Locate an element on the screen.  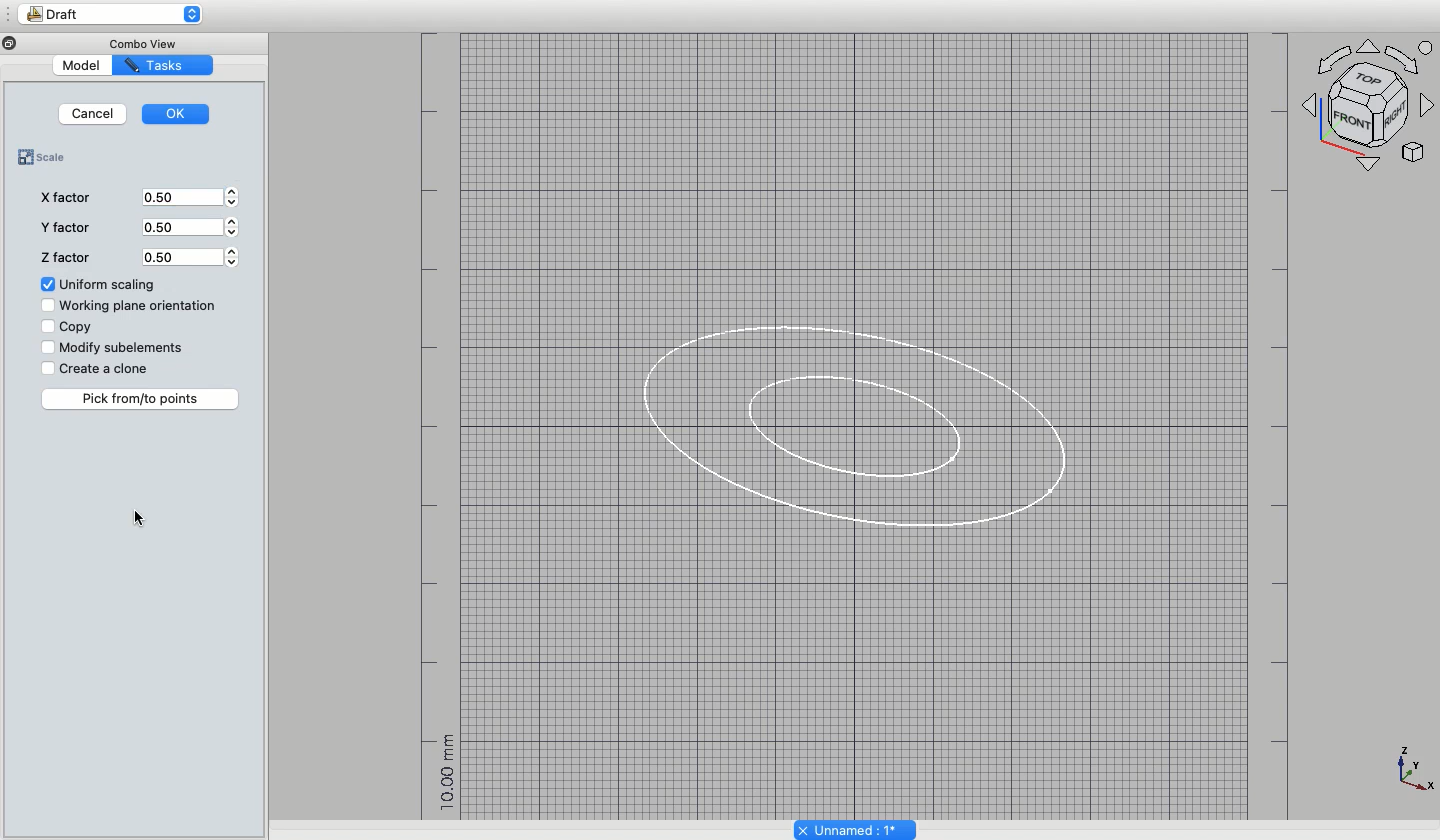
Axes is located at coordinates (1371, 103).